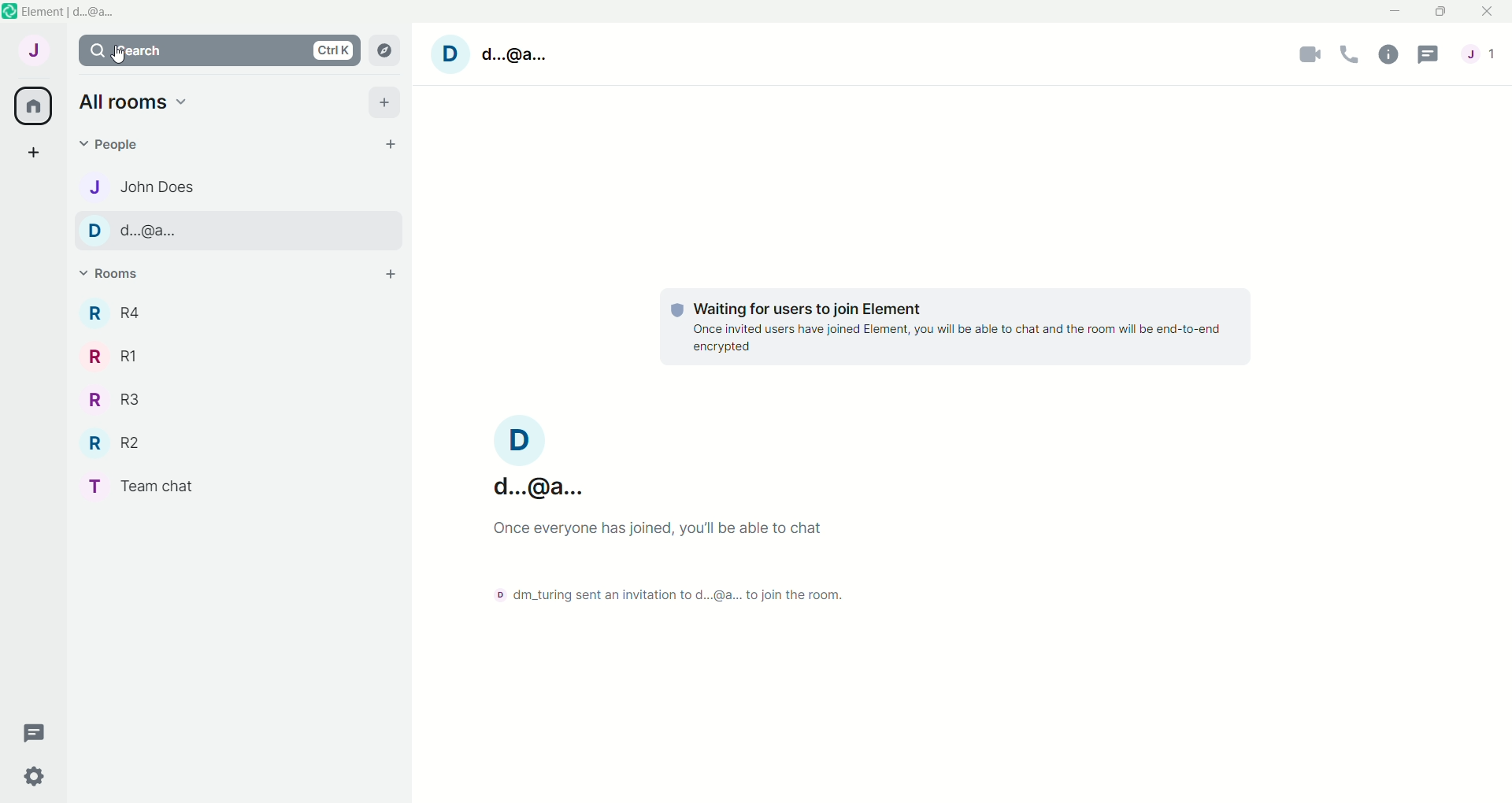 This screenshot has width=1512, height=803. What do you see at coordinates (1432, 58) in the screenshot?
I see `threads` at bounding box center [1432, 58].